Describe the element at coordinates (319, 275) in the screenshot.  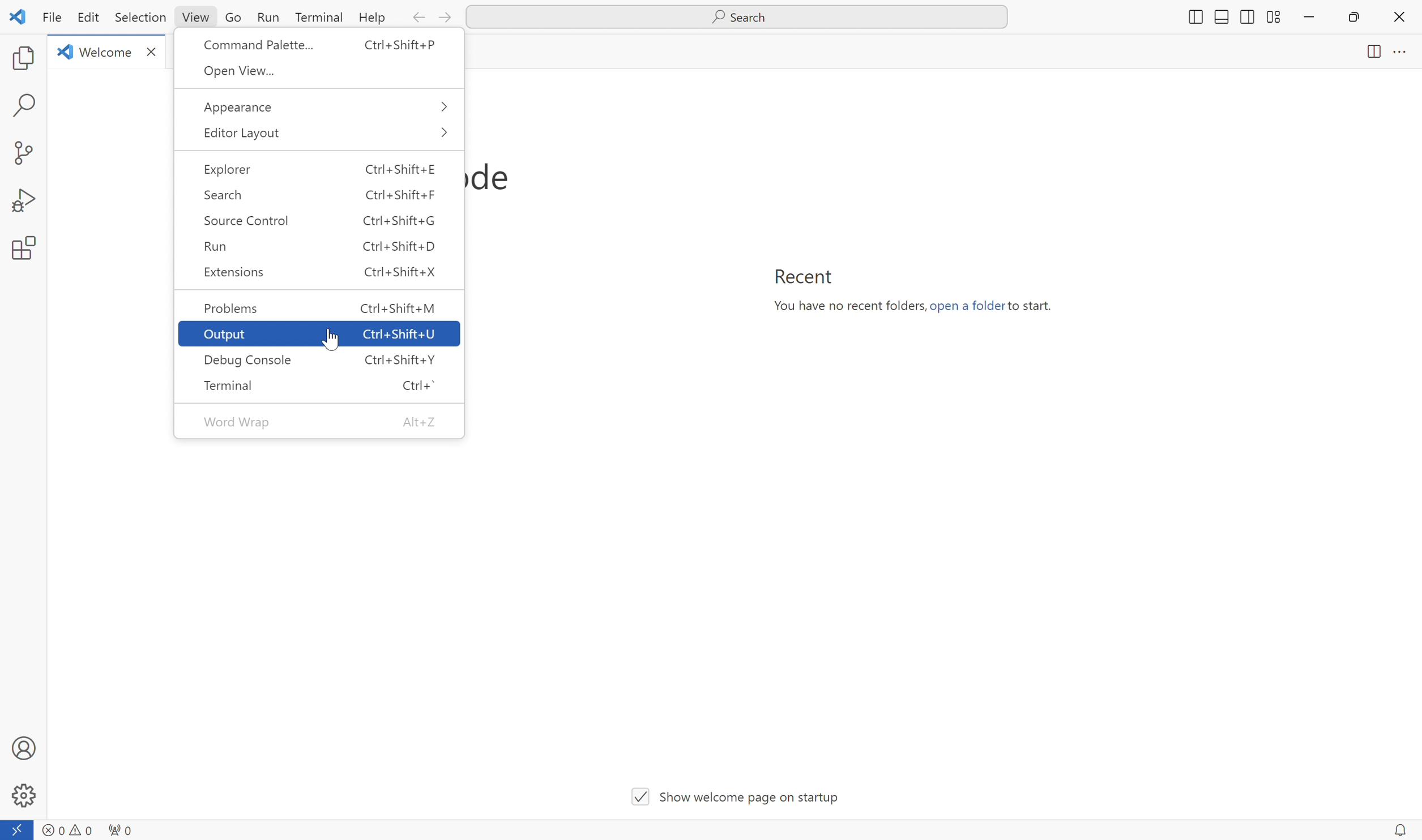
I see `extensions` at that location.